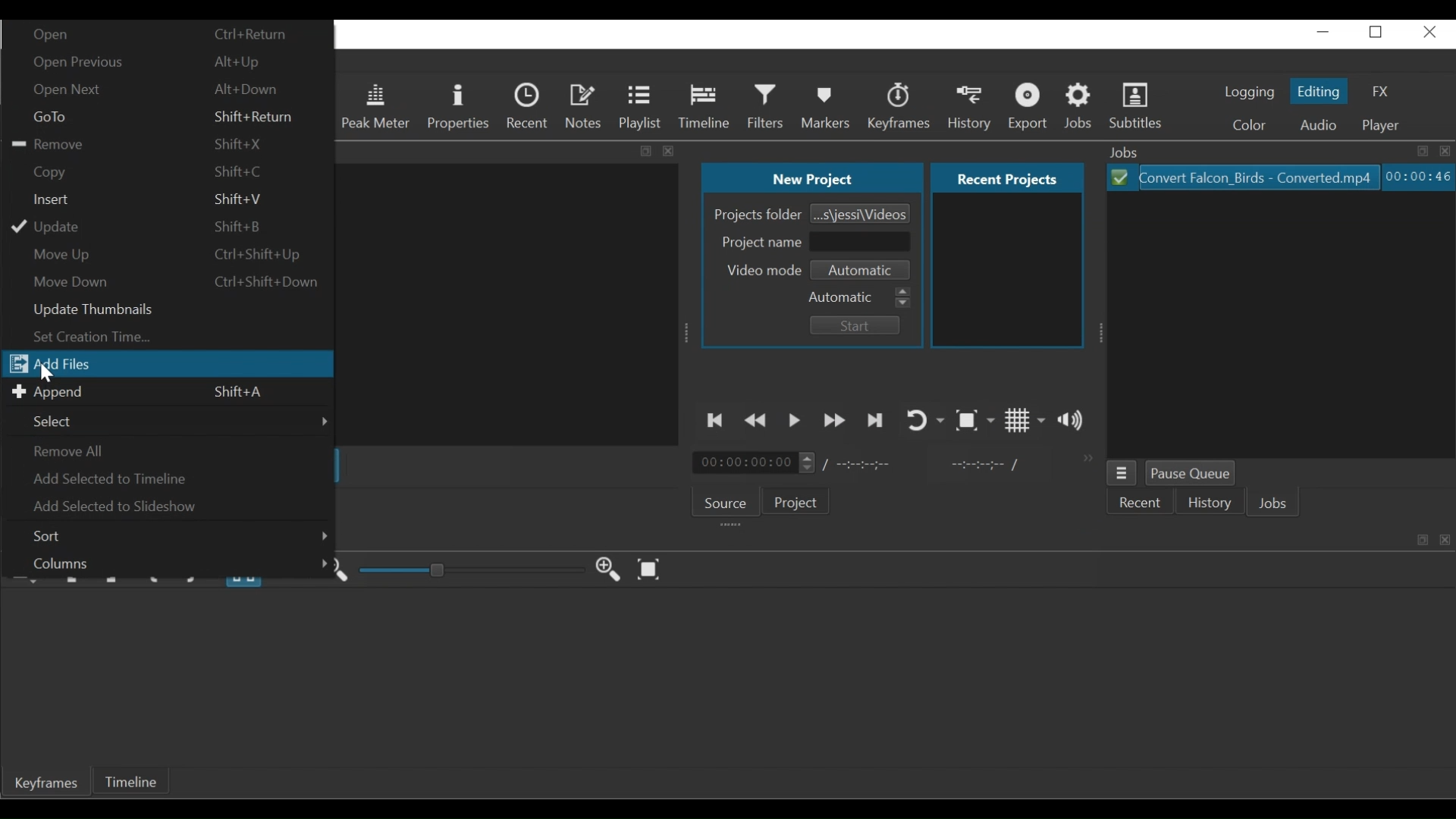  What do you see at coordinates (707, 106) in the screenshot?
I see `Timeline` at bounding box center [707, 106].